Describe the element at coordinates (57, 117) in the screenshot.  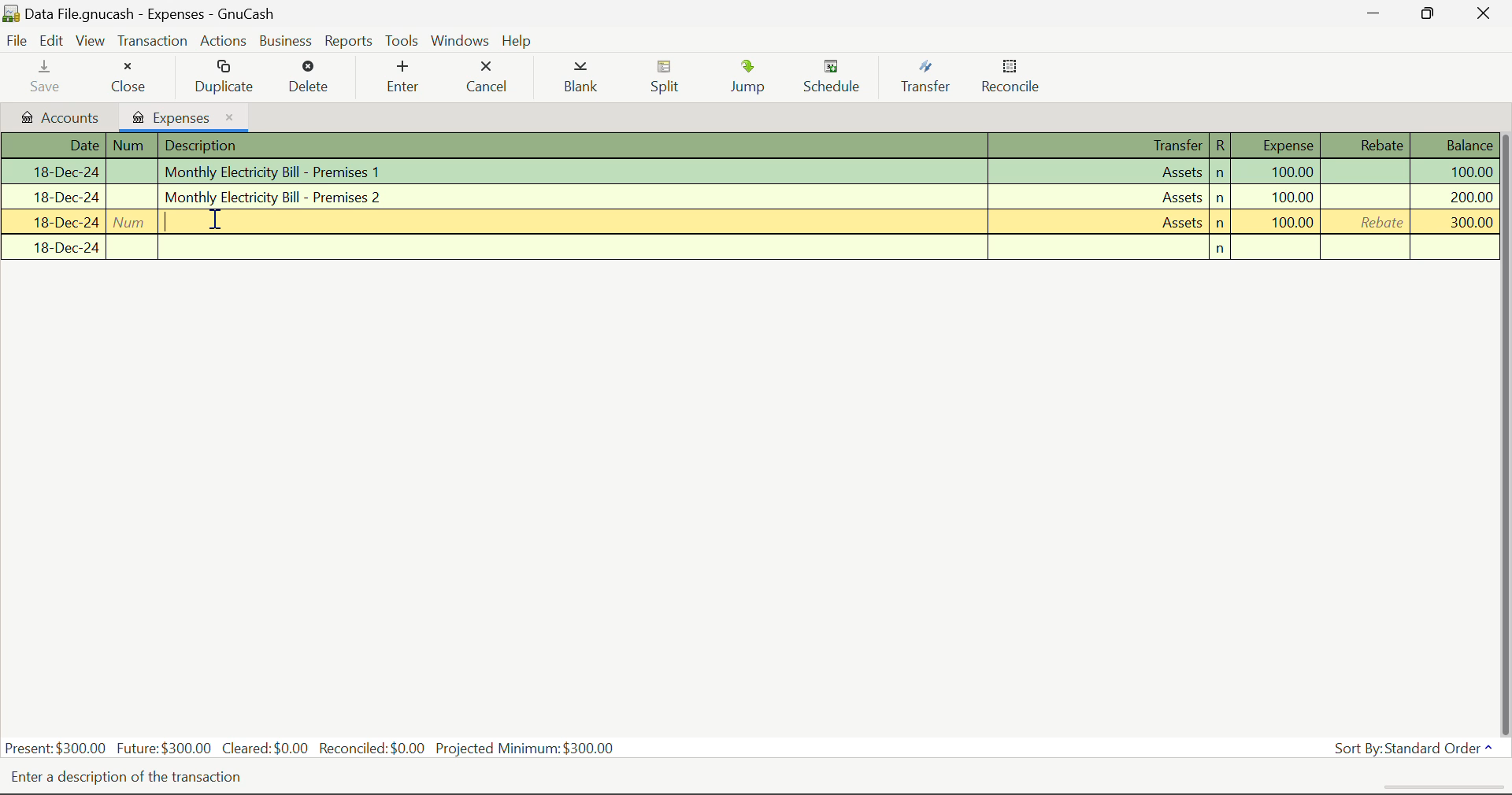
I see `Accounts` at that location.